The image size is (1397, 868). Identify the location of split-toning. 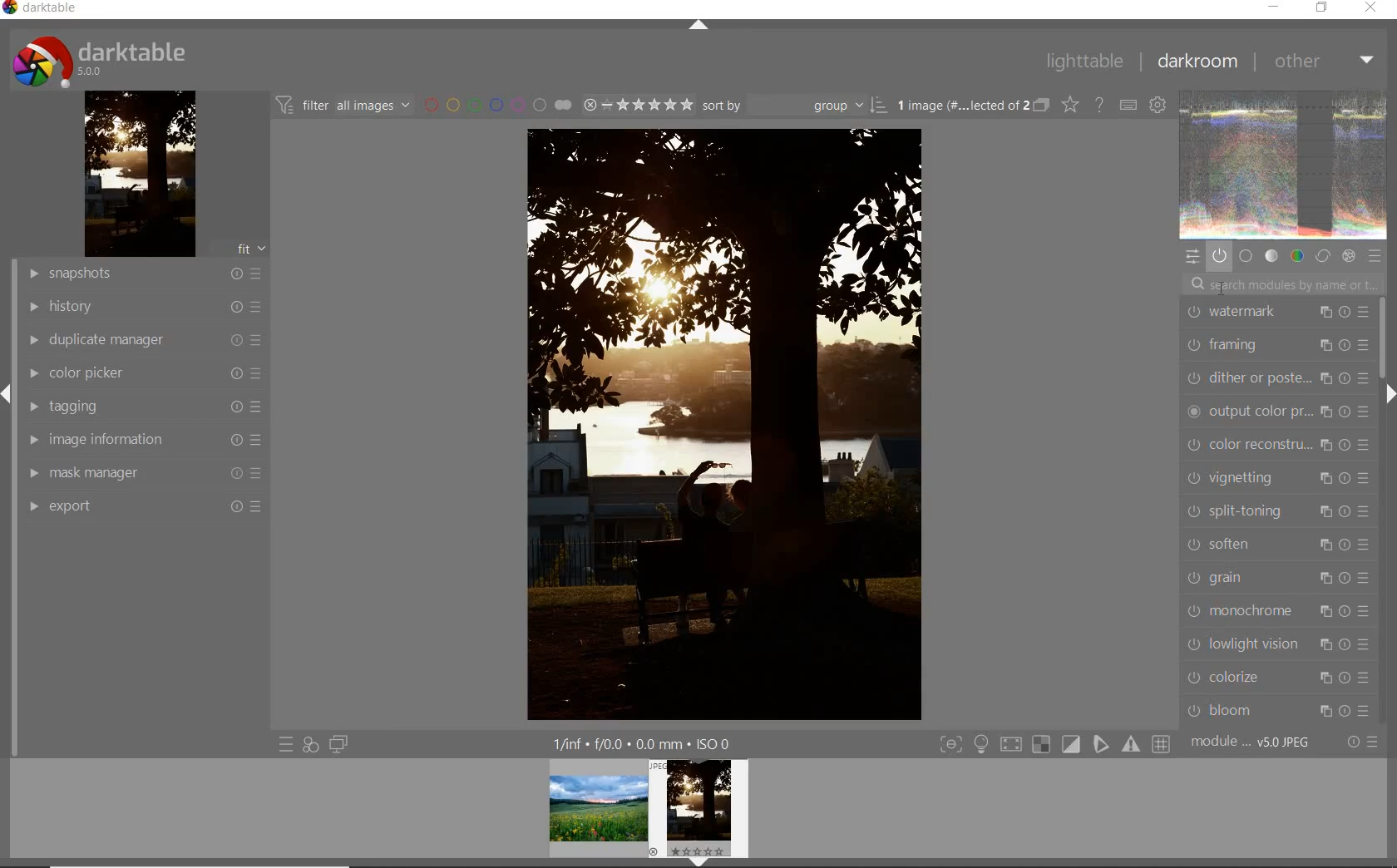
(1279, 510).